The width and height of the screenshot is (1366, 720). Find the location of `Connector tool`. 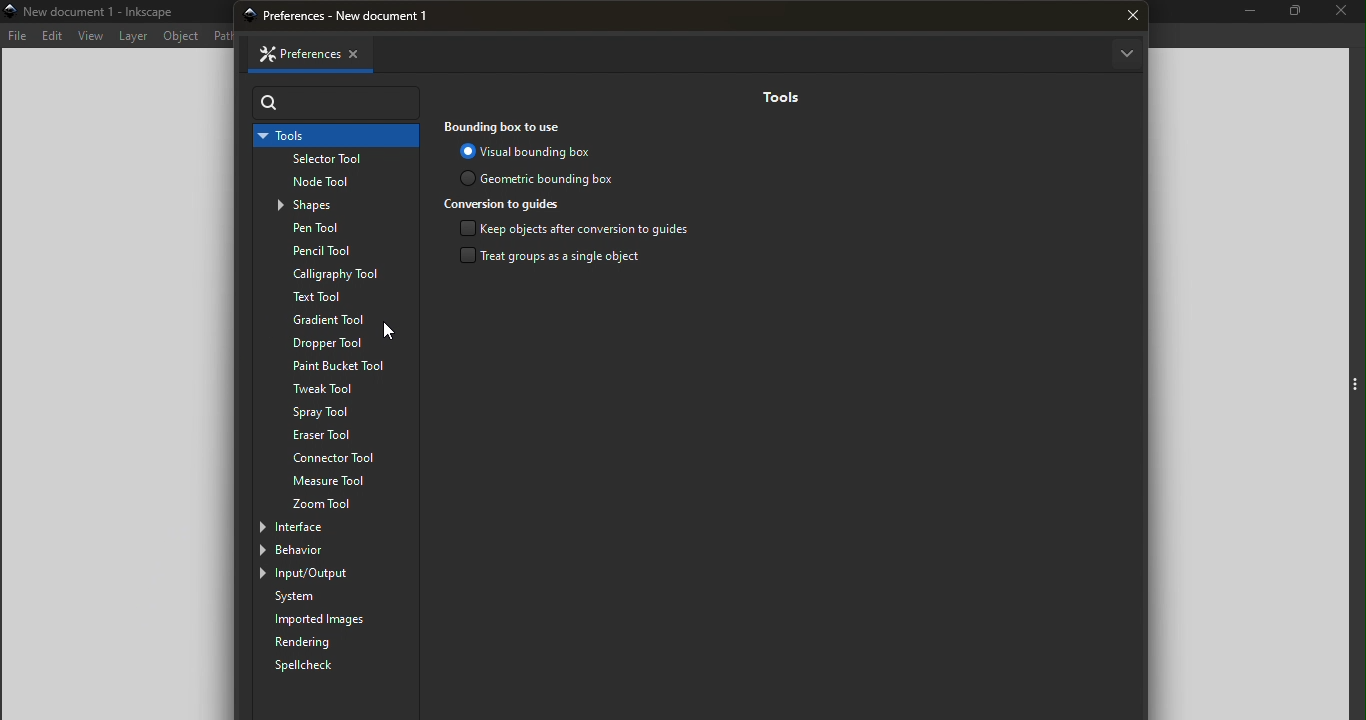

Connector tool is located at coordinates (336, 458).